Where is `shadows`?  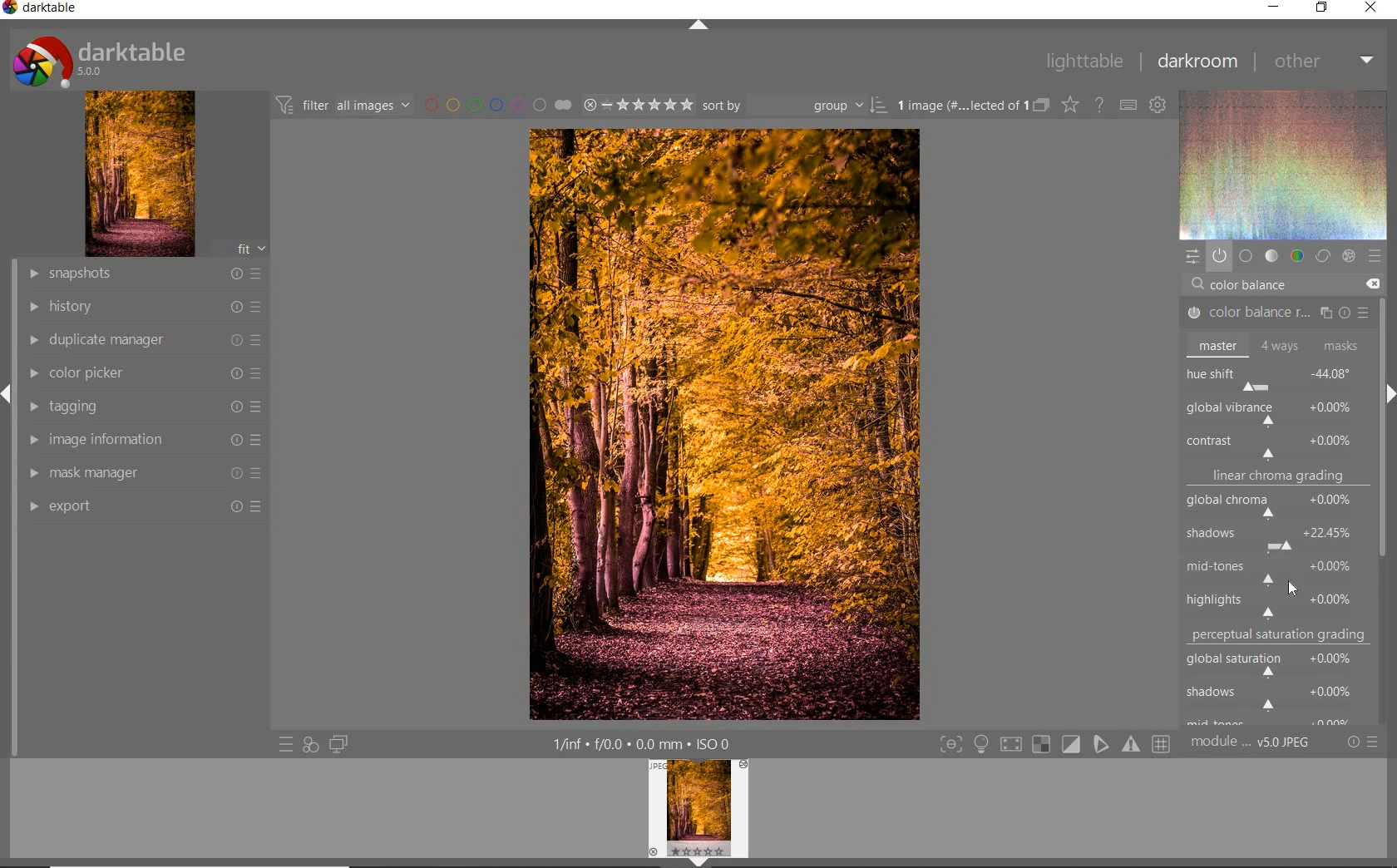 shadows is located at coordinates (1278, 535).